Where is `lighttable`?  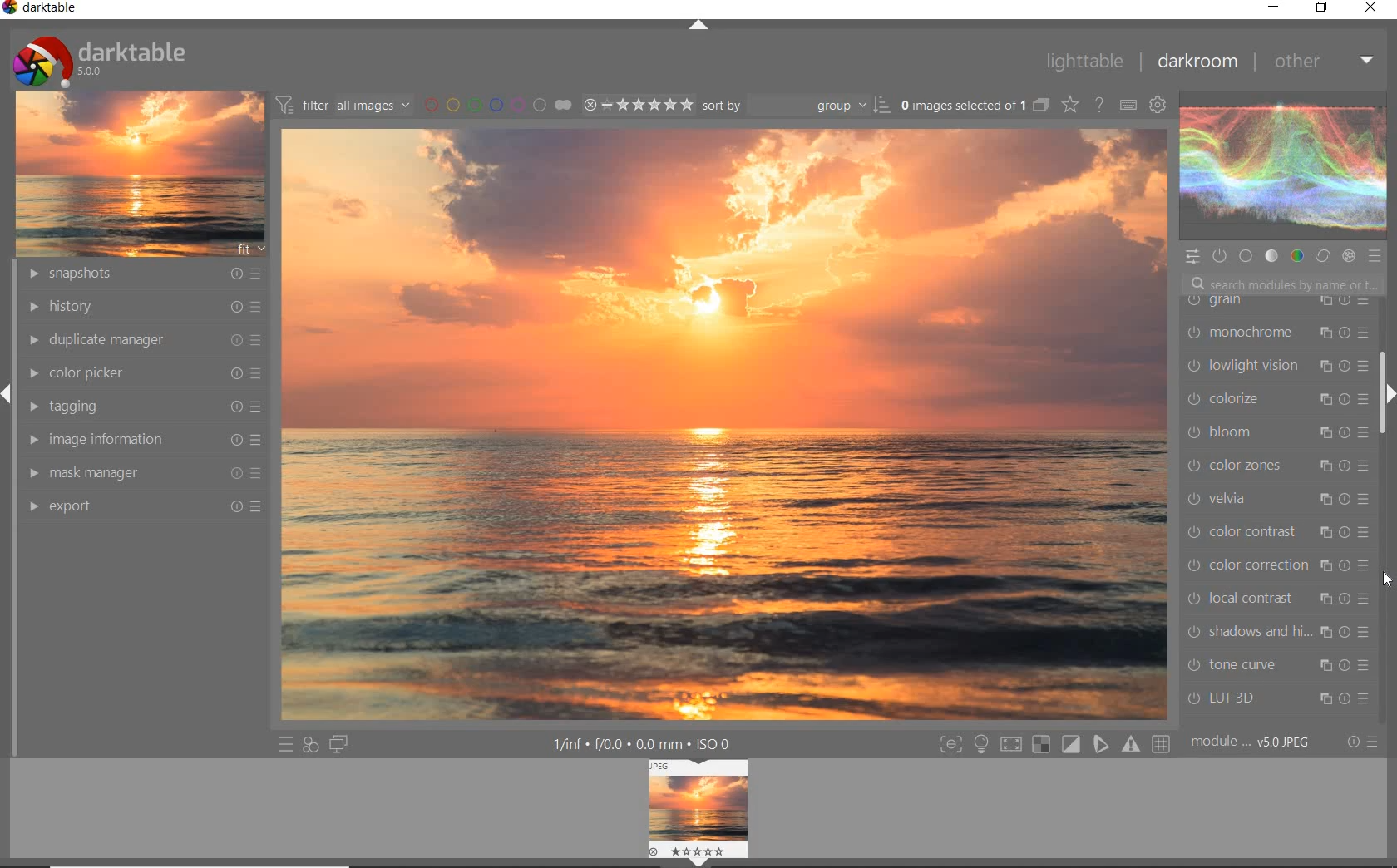 lighttable is located at coordinates (1083, 61).